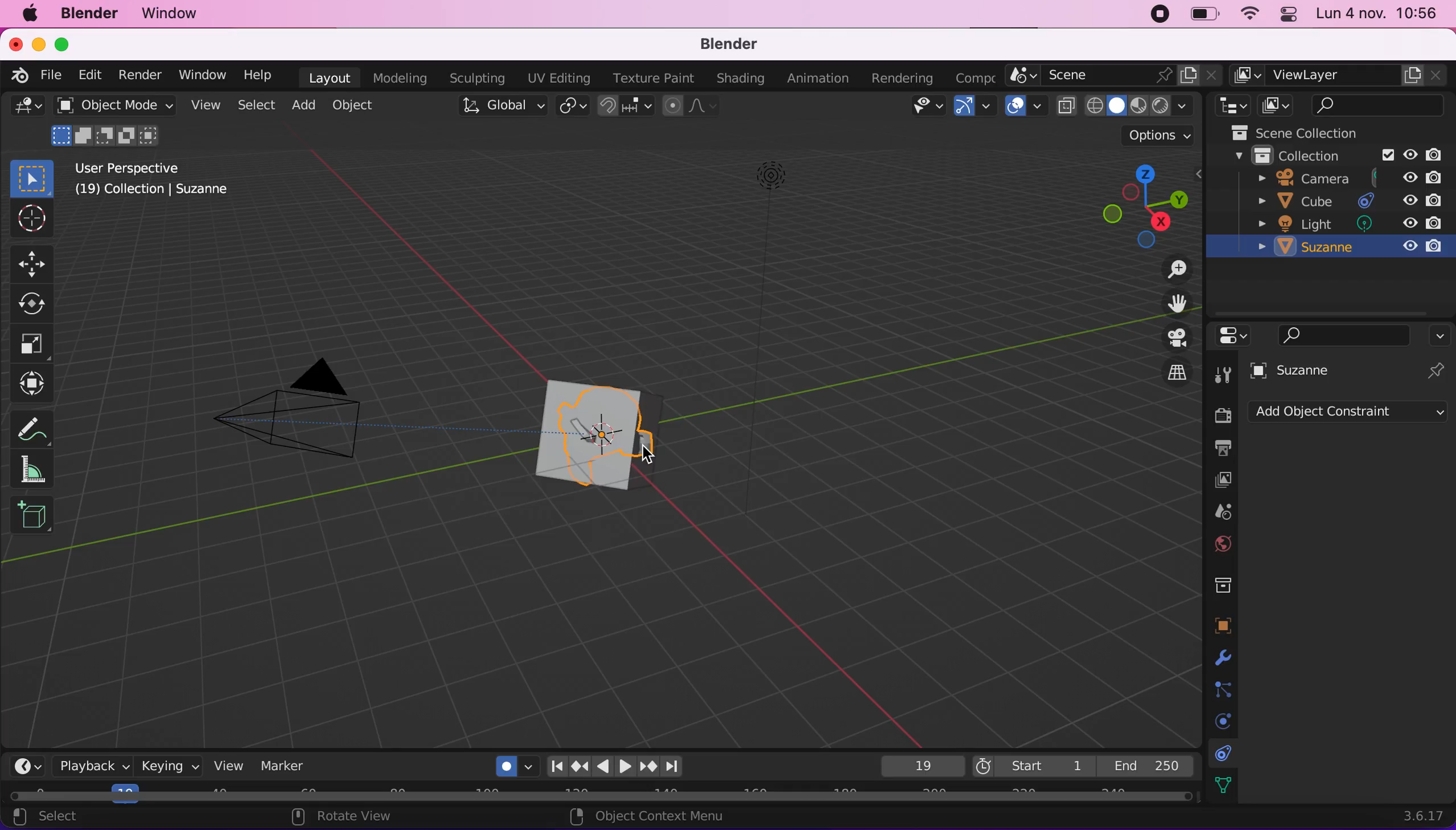 This screenshot has height=830, width=1456. What do you see at coordinates (138, 166) in the screenshot?
I see `user perspective` at bounding box center [138, 166].